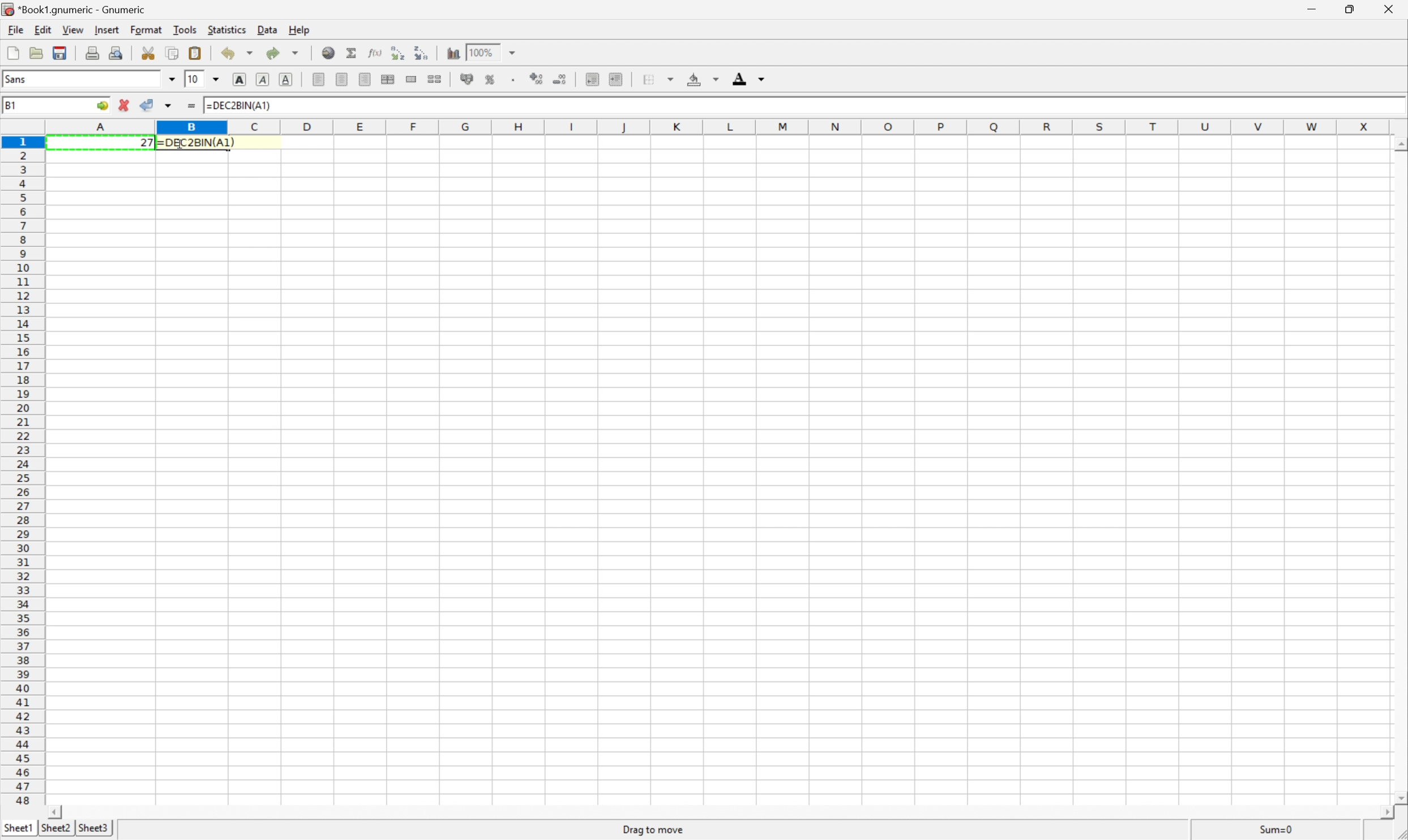  I want to click on Italic, so click(262, 80).